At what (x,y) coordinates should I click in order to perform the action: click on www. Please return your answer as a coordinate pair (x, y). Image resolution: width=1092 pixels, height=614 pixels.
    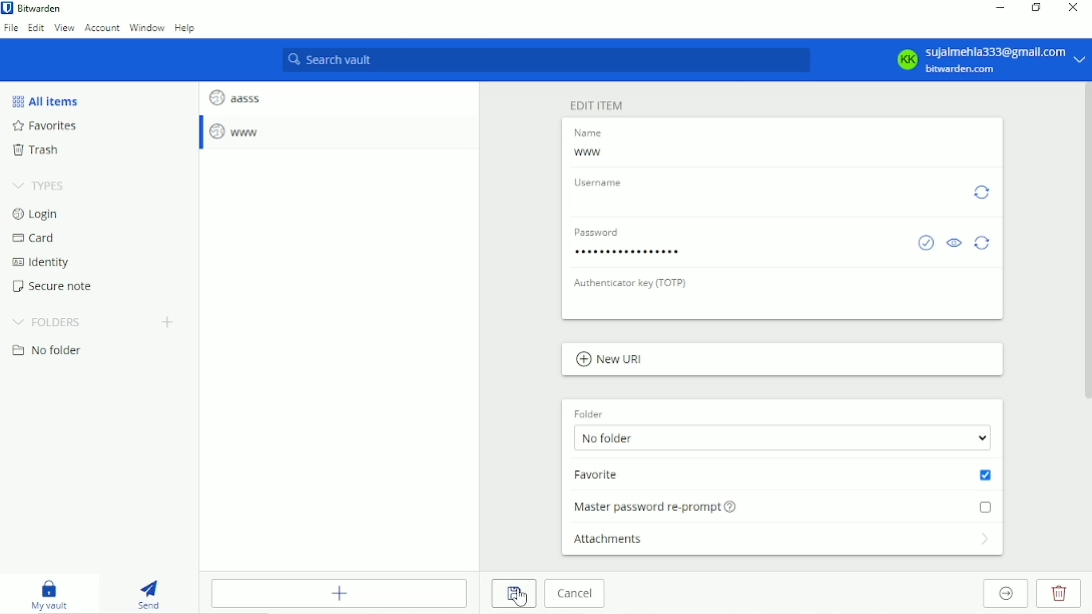
    Looking at the image, I should click on (589, 153).